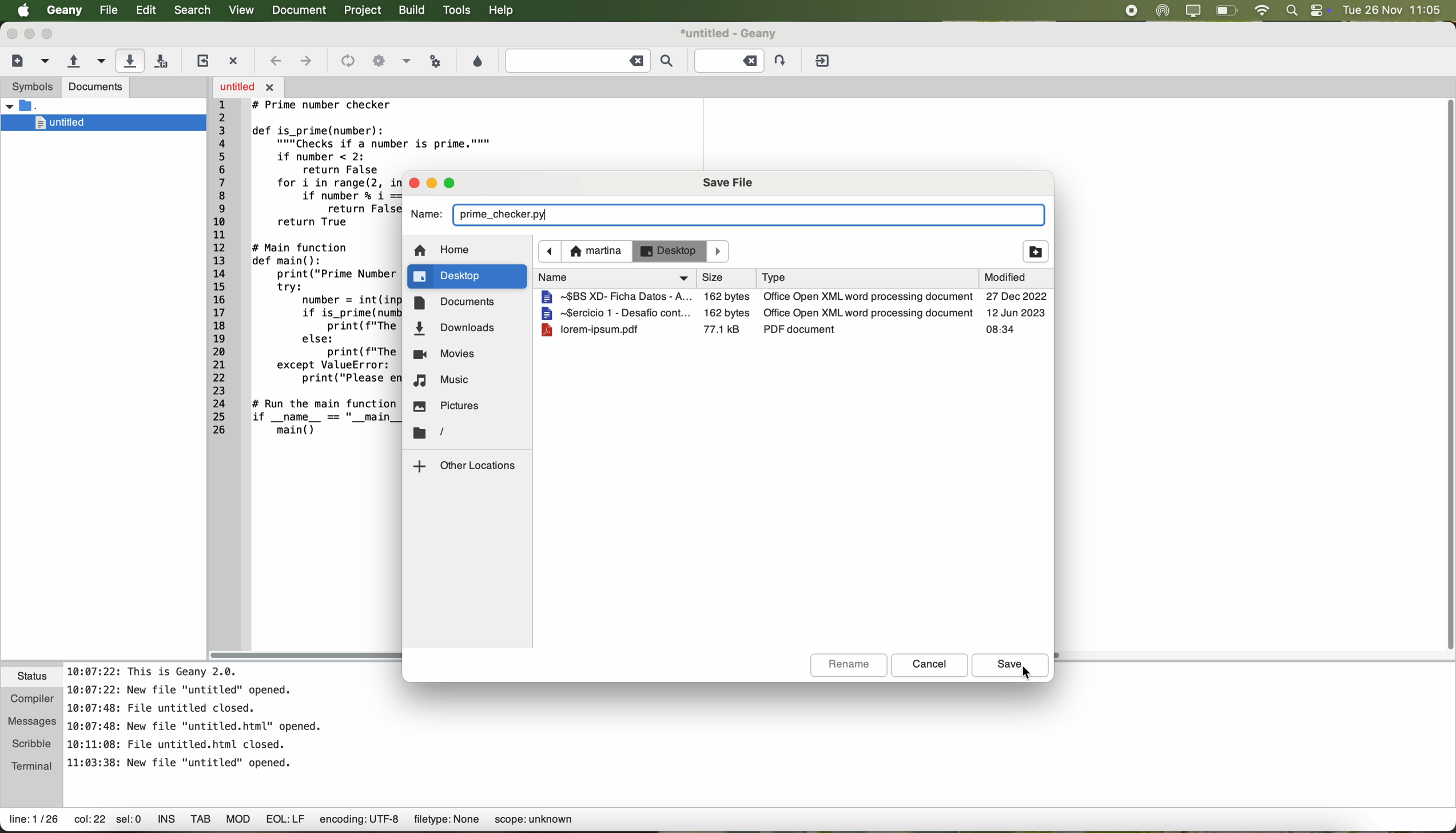  I want to click on data, so click(293, 822).